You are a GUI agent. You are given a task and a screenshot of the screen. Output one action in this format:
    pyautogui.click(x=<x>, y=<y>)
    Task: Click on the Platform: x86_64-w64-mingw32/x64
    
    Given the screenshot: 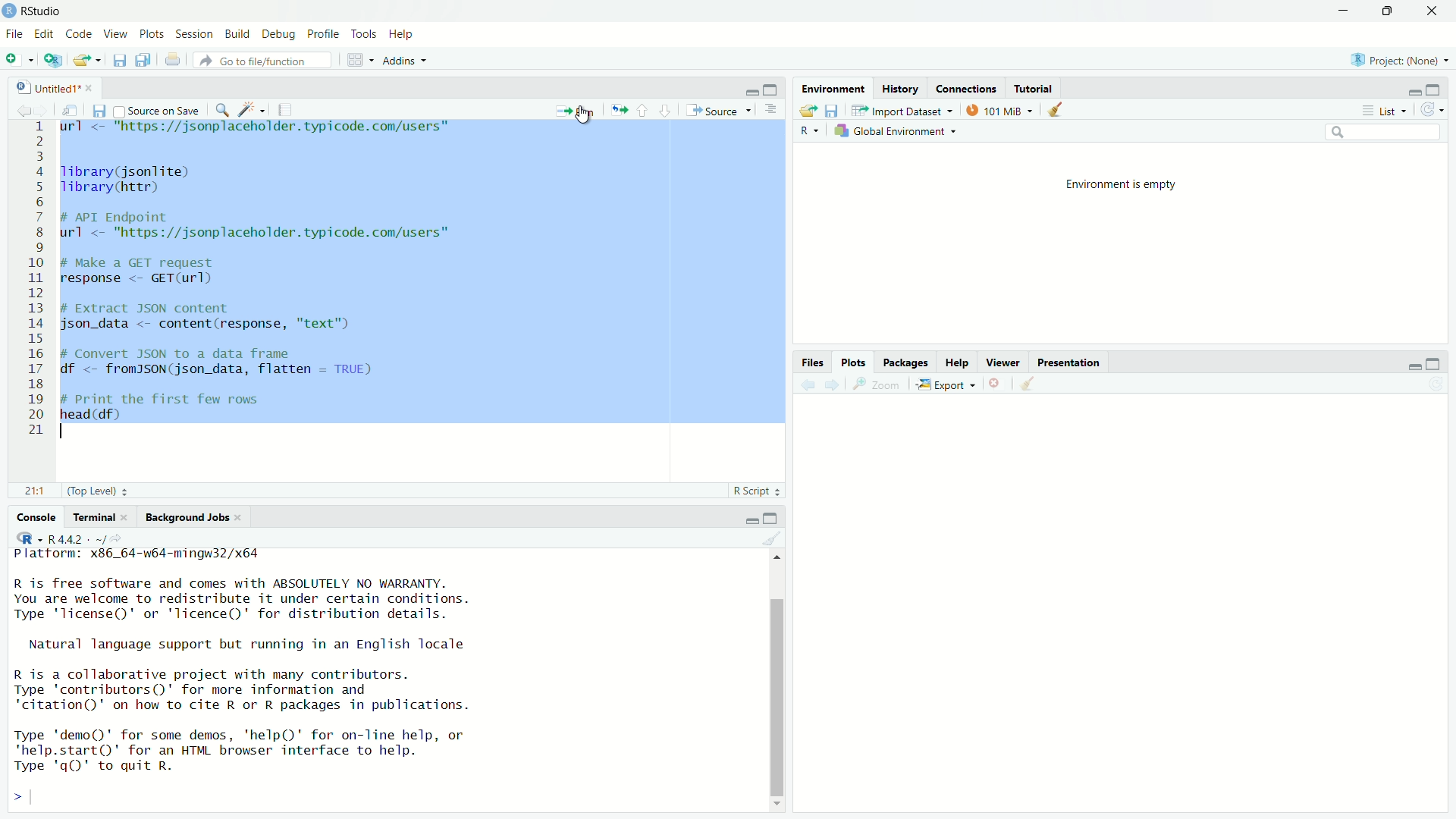 What is the action you would take?
    pyautogui.click(x=138, y=557)
    